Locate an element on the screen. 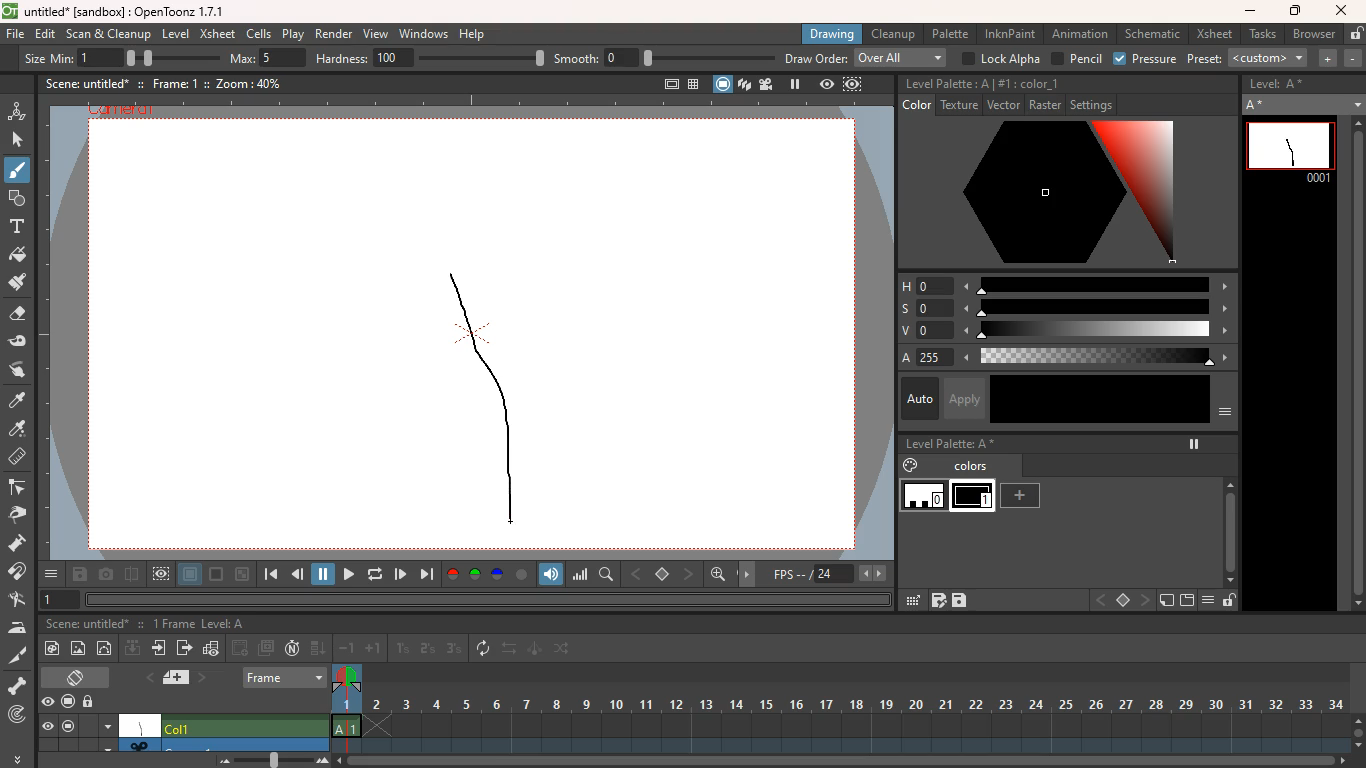  untitled [sandbox] : OpenToonz 1.7.1 is located at coordinates (112, 11).